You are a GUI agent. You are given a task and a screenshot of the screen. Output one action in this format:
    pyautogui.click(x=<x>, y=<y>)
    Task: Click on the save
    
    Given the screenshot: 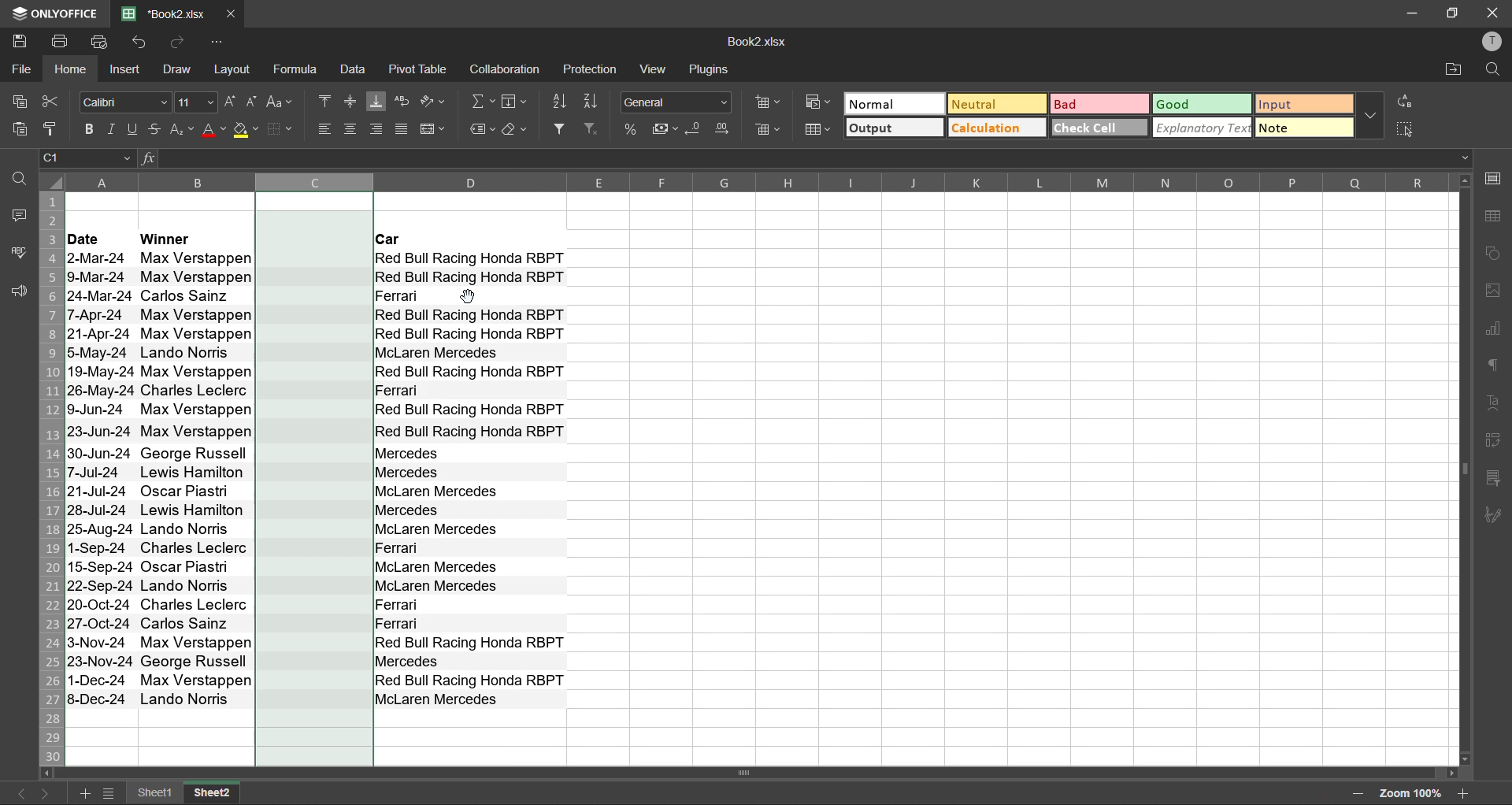 What is the action you would take?
    pyautogui.click(x=20, y=42)
    